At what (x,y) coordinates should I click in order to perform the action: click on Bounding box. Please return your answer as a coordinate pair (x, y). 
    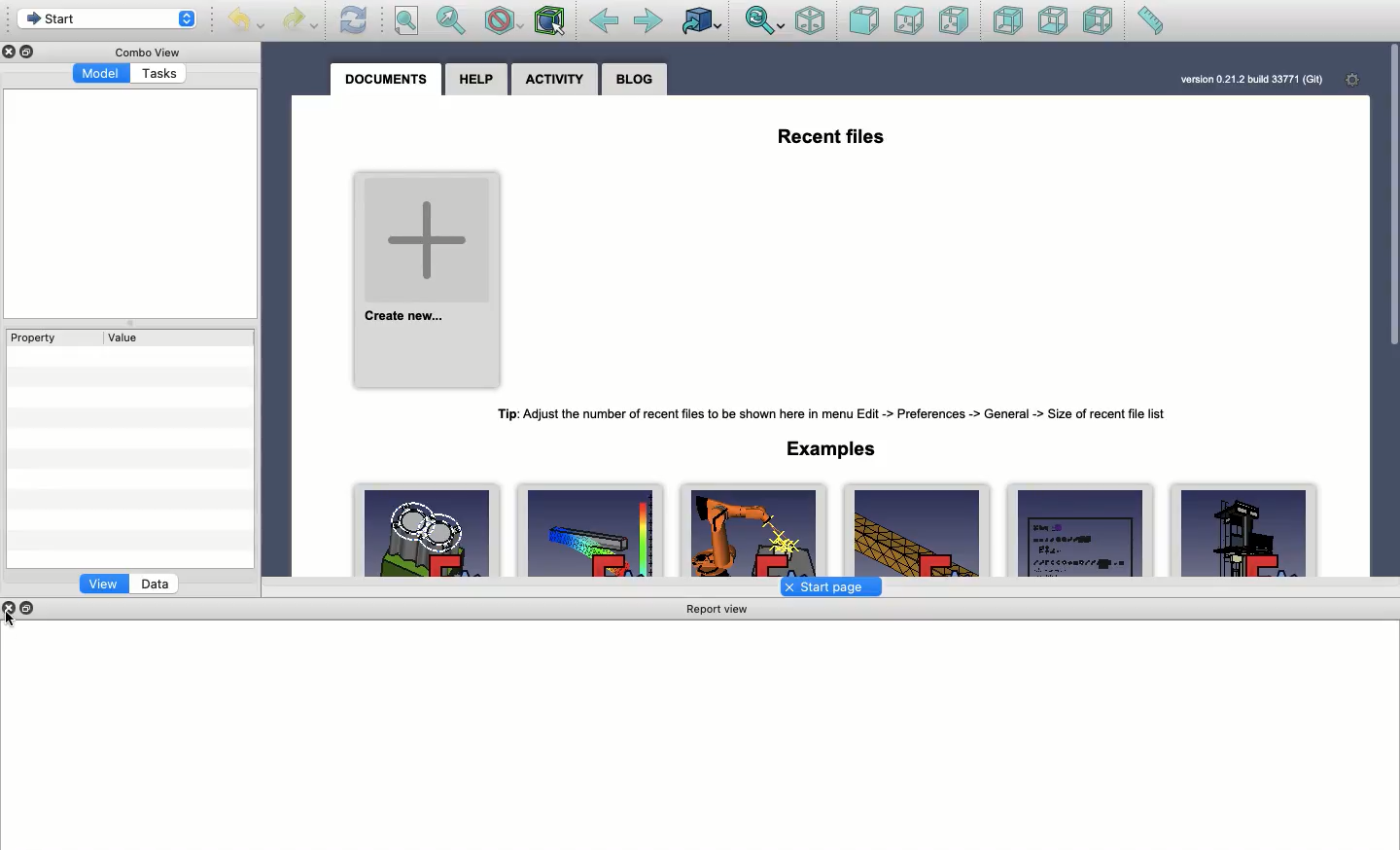
    Looking at the image, I should click on (551, 24).